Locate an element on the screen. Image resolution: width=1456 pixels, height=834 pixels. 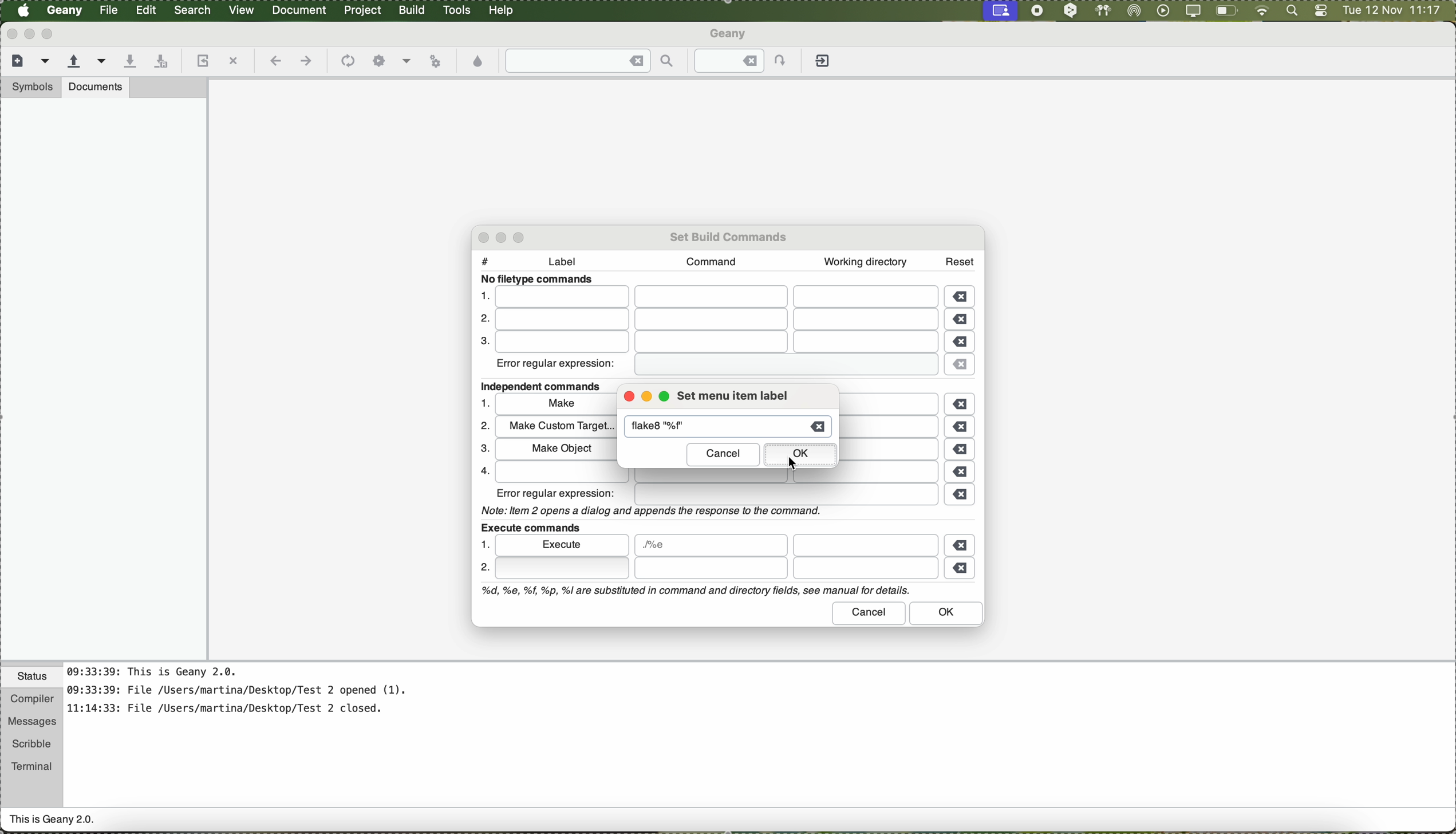
scribble is located at coordinates (32, 744).